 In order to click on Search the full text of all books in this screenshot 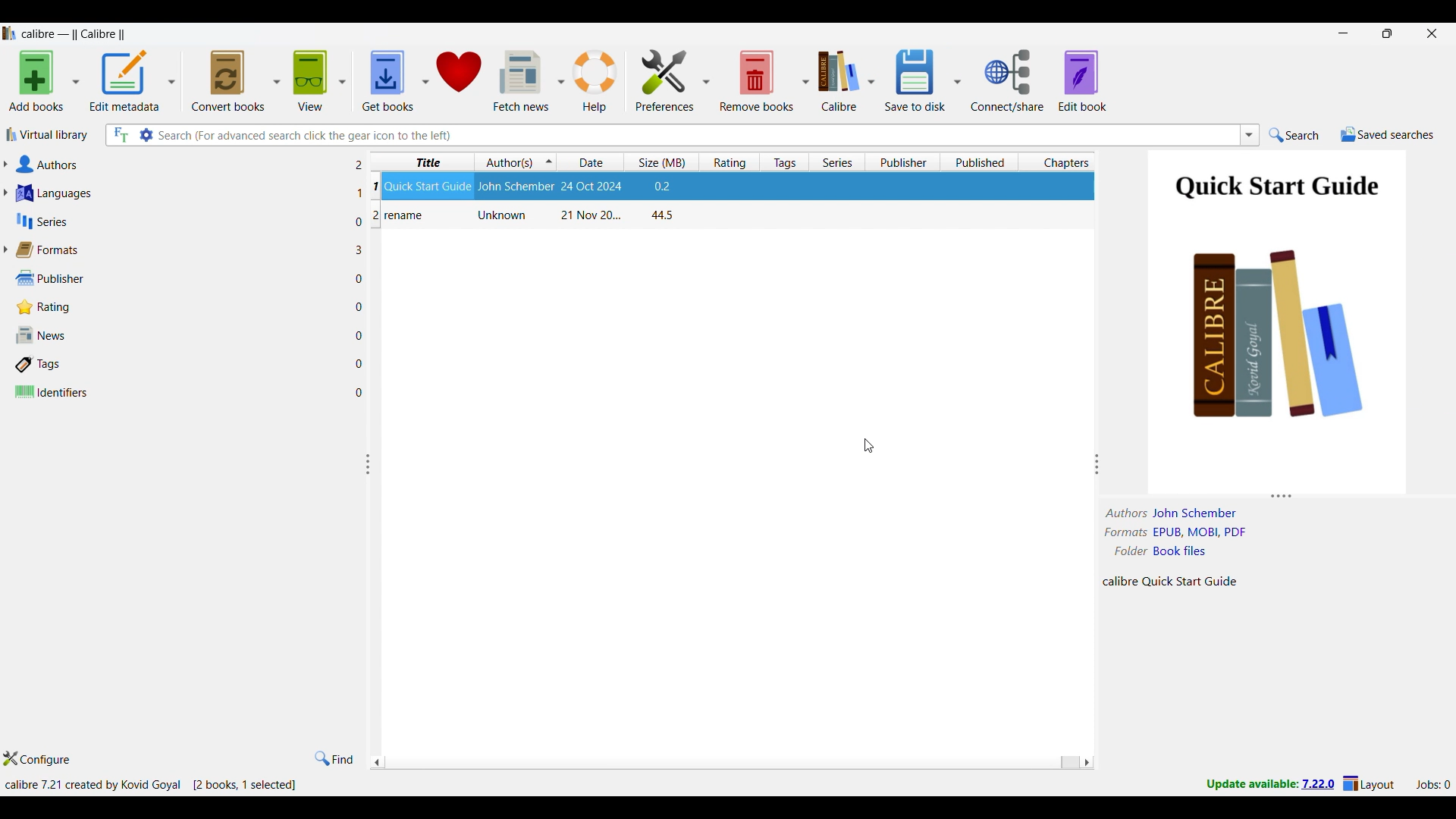, I will do `click(120, 135)`.